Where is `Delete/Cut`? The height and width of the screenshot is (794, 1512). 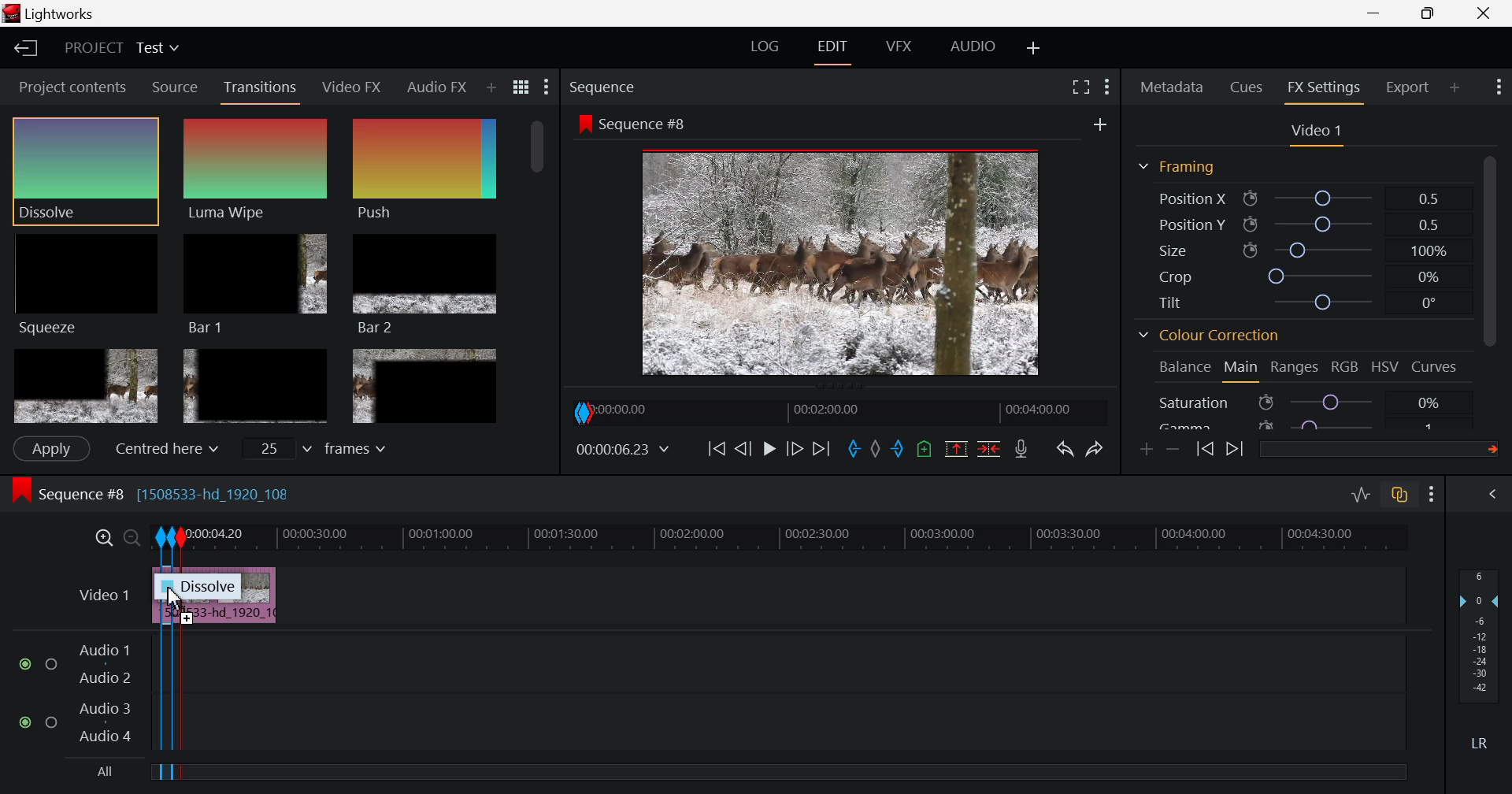 Delete/Cut is located at coordinates (989, 447).